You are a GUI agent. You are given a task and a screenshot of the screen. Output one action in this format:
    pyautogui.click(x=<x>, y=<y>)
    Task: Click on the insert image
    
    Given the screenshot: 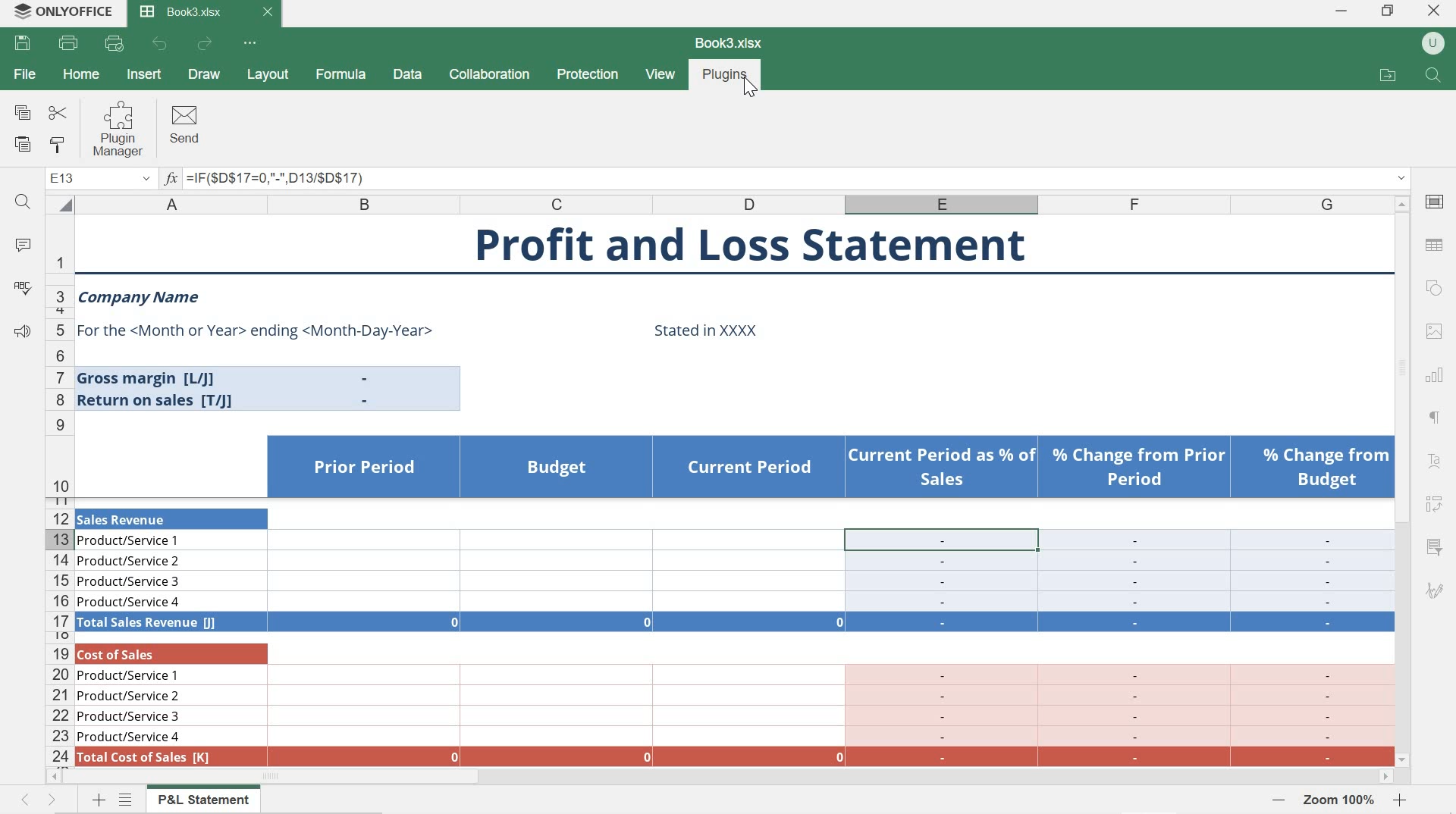 What is the action you would take?
    pyautogui.click(x=1434, y=331)
    